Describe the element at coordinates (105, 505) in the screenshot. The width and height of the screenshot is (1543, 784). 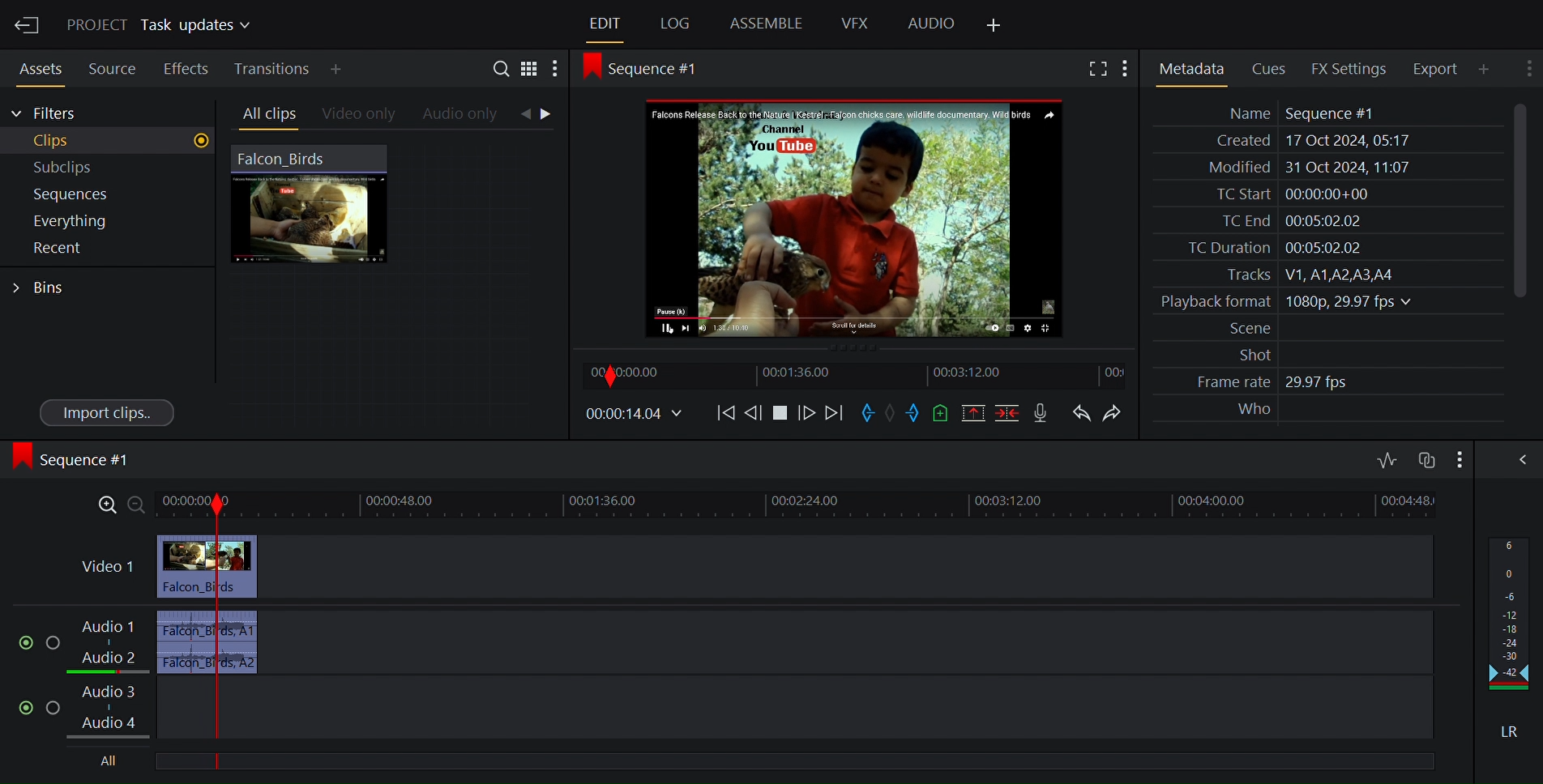
I see `Zoom in` at that location.